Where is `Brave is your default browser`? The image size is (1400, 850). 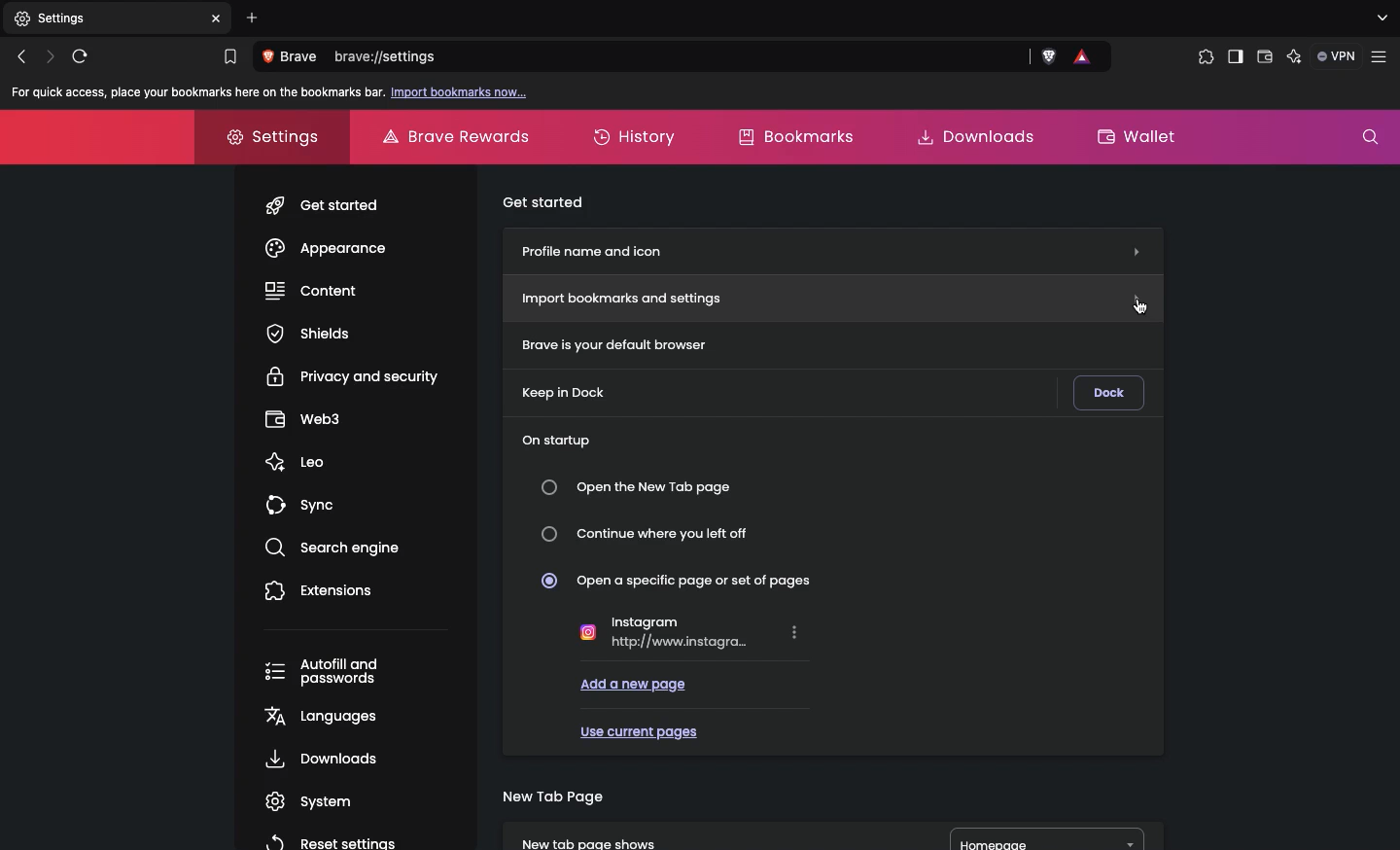 Brave is your default browser is located at coordinates (607, 343).